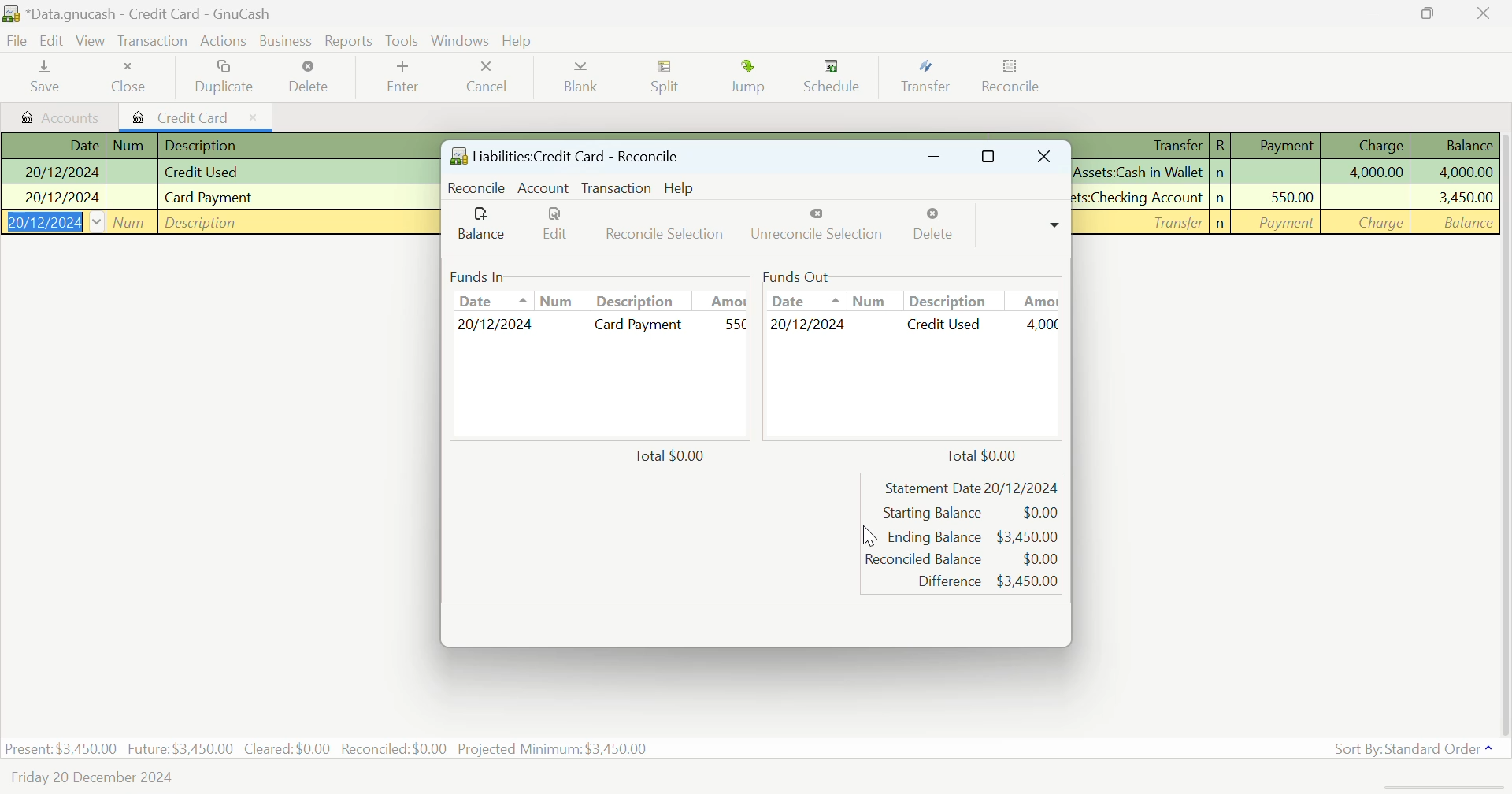 The height and width of the screenshot is (794, 1512). Describe the element at coordinates (400, 78) in the screenshot. I see `Enter` at that location.